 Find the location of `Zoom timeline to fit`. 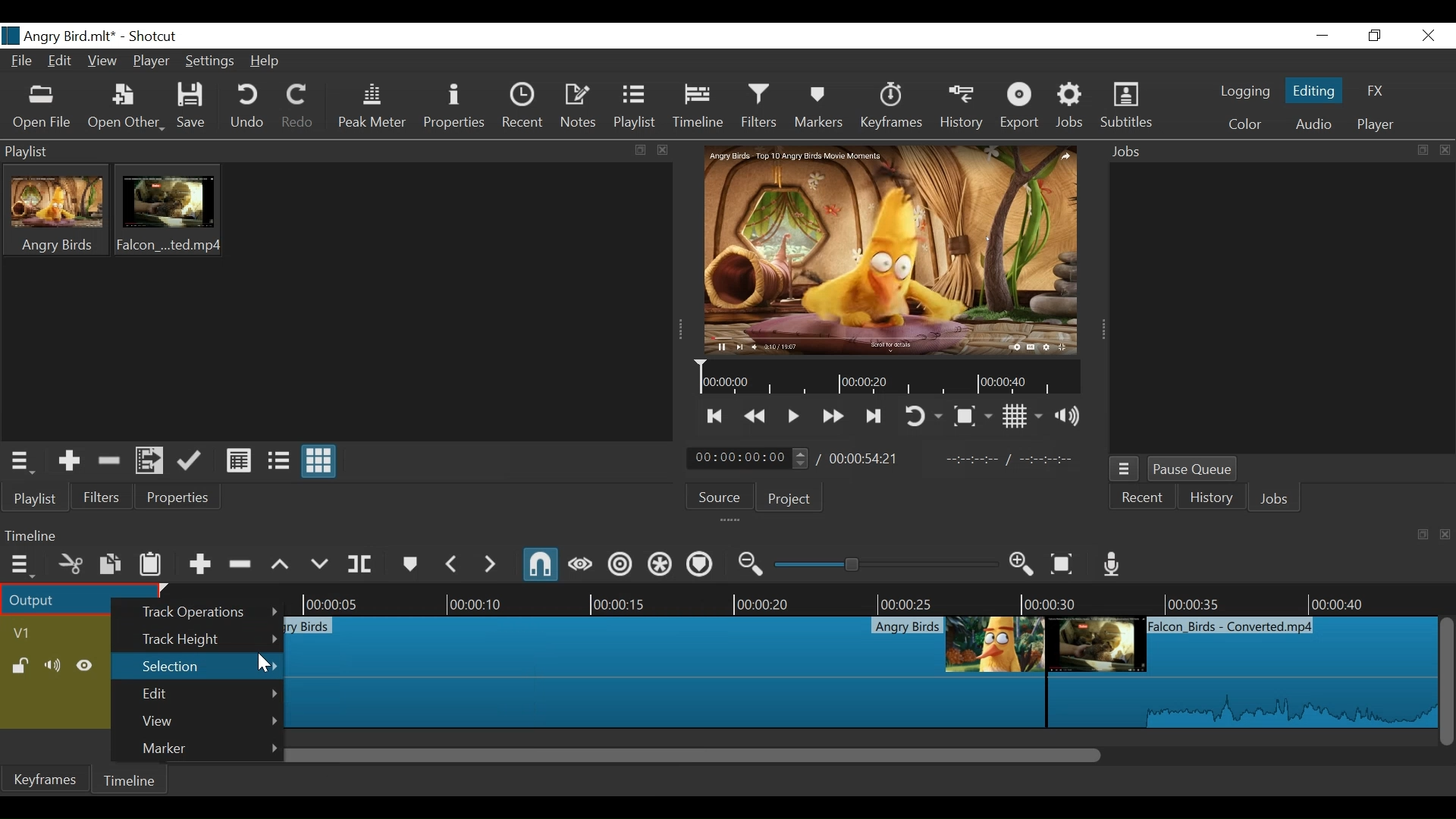

Zoom timeline to fit is located at coordinates (1062, 565).